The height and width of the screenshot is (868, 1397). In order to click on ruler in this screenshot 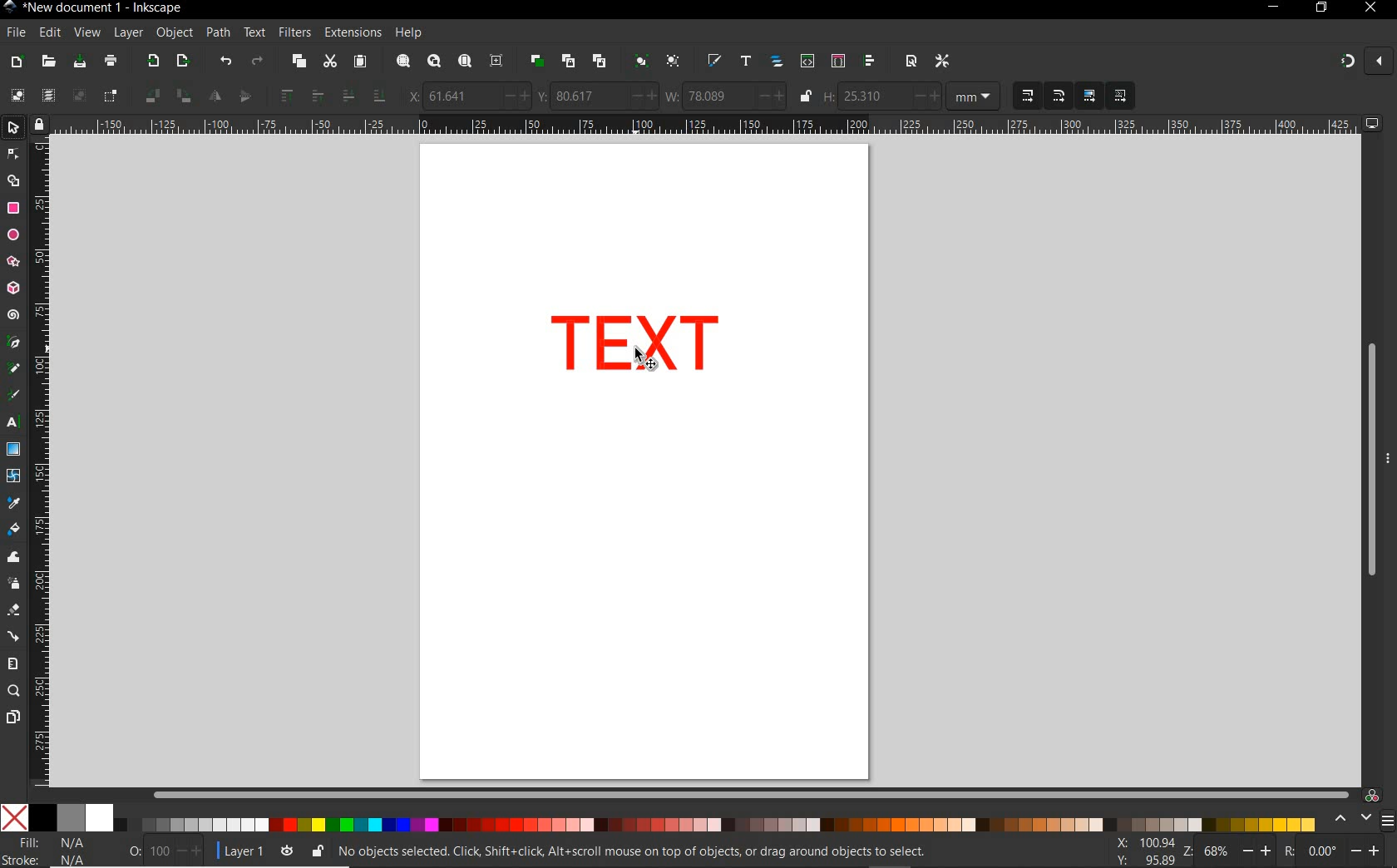, I will do `click(42, 466)`.